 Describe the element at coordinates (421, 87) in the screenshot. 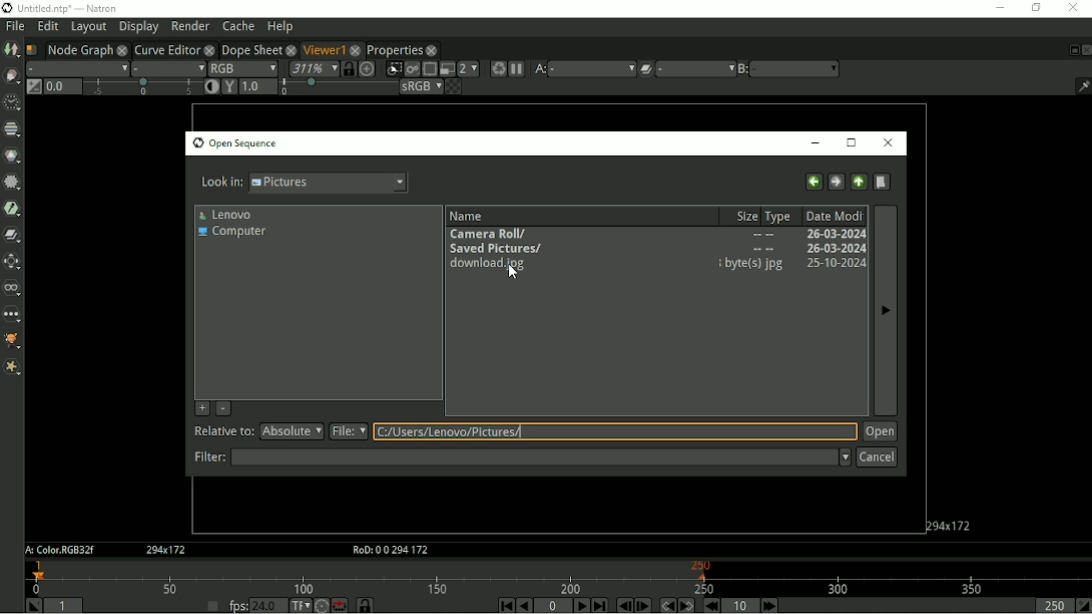

I see `sRGB` at that location.